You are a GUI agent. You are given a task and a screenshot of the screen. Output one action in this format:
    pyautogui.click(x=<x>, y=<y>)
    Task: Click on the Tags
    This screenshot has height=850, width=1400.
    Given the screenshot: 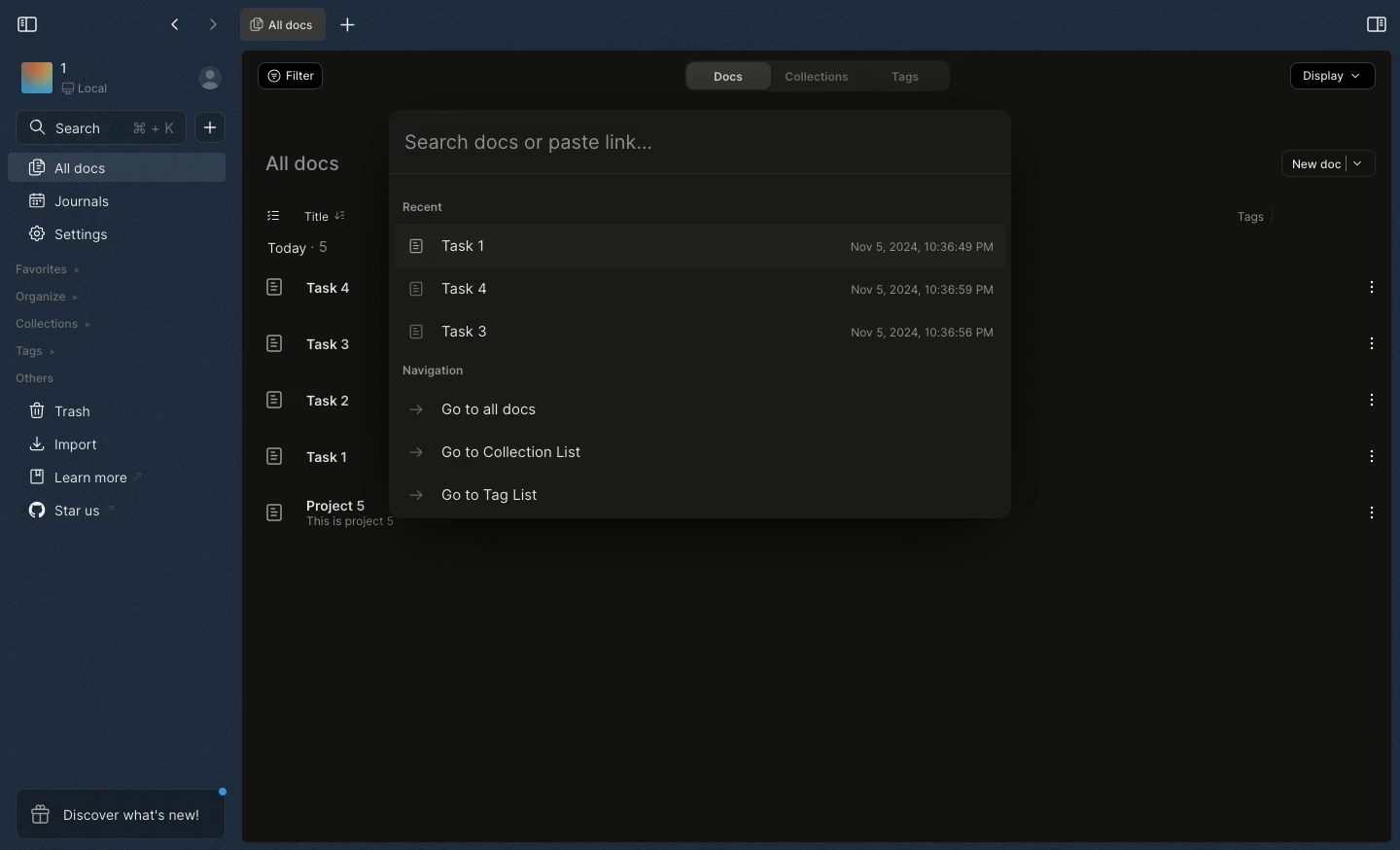 What is the action you would take?
    pyautogui.click(x=37, y=350)
    